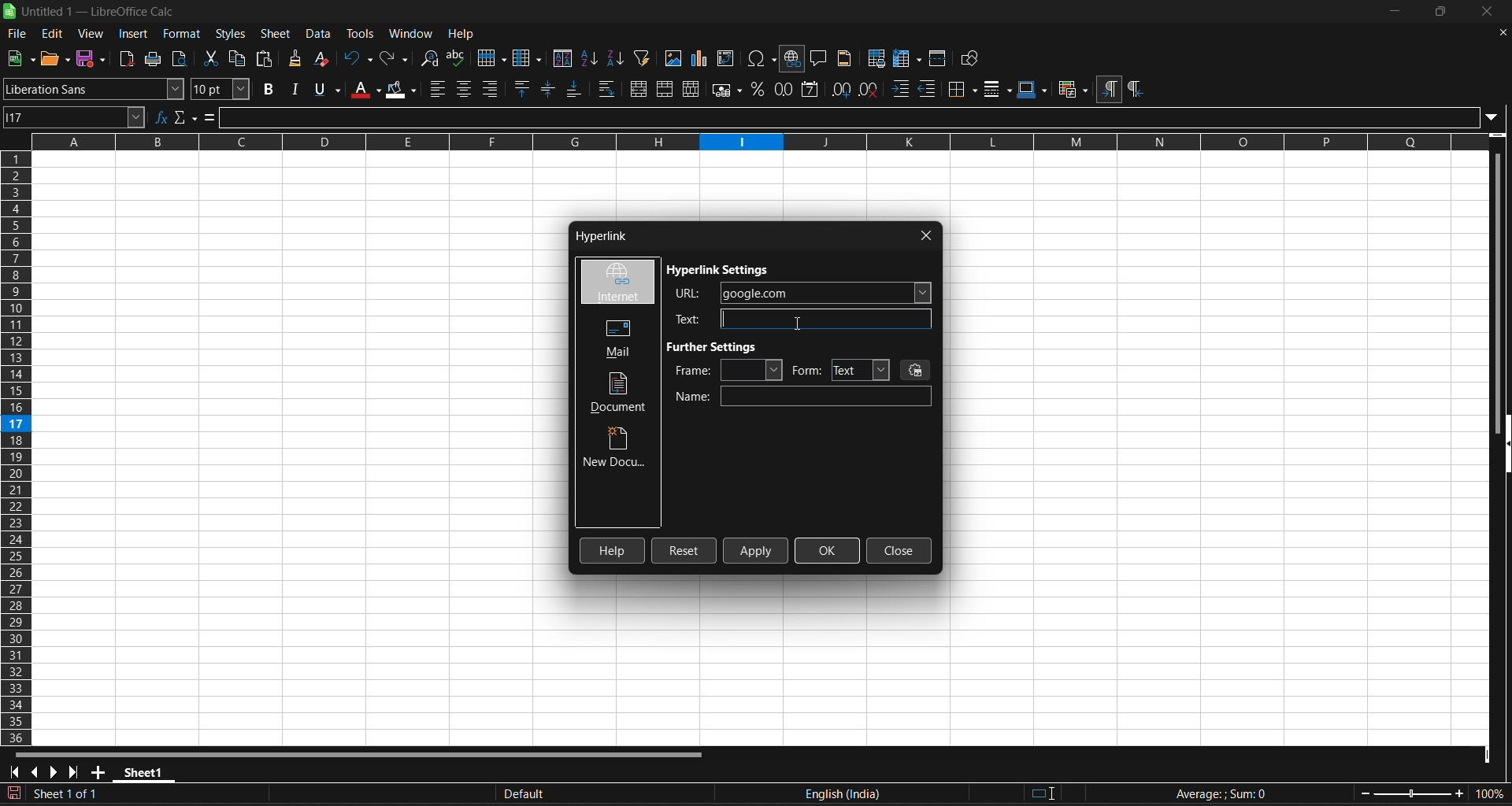 The image size is (1512, 806). Describe the element at coordinates (1503, 446) in the screenshot. I see `hide` at that location.